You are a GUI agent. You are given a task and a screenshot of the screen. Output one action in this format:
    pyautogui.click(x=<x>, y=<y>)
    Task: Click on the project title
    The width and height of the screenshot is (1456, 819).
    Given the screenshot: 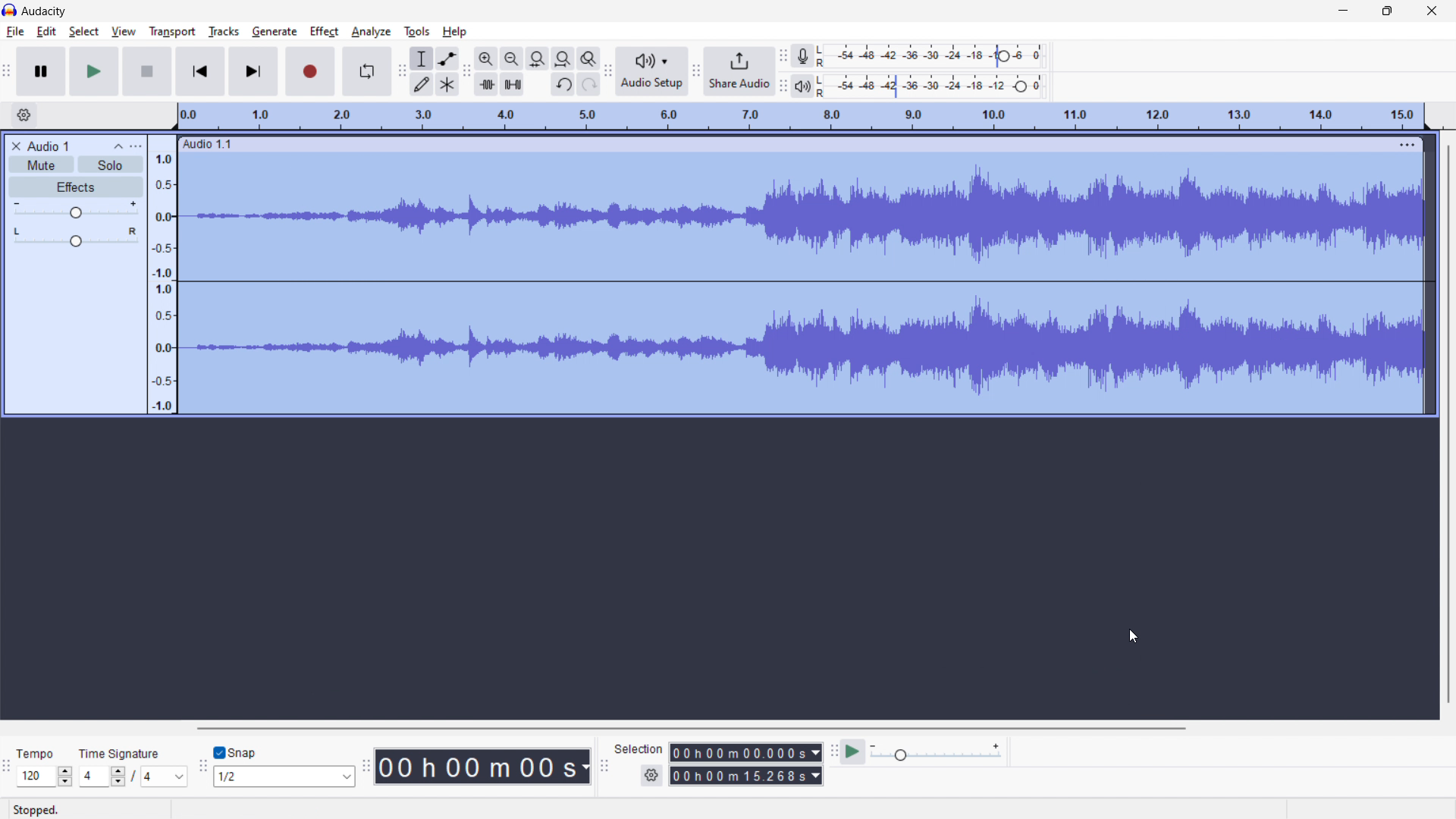 What is the action you would take?
    pyautogui.click(x=49, y=146)
    